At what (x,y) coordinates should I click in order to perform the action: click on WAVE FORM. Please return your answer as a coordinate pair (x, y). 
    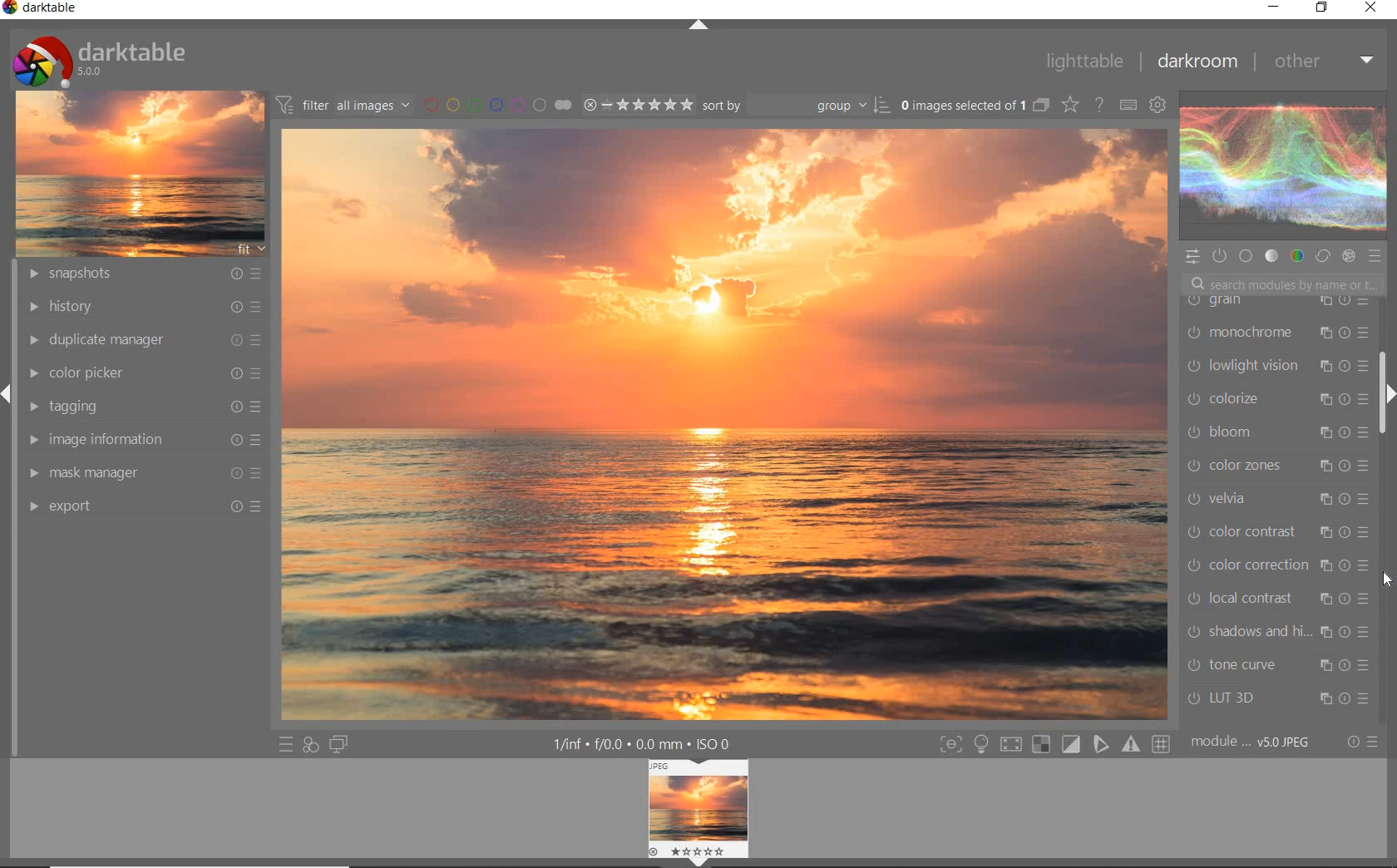
    Looking at the image, I should click on (1281, 168).